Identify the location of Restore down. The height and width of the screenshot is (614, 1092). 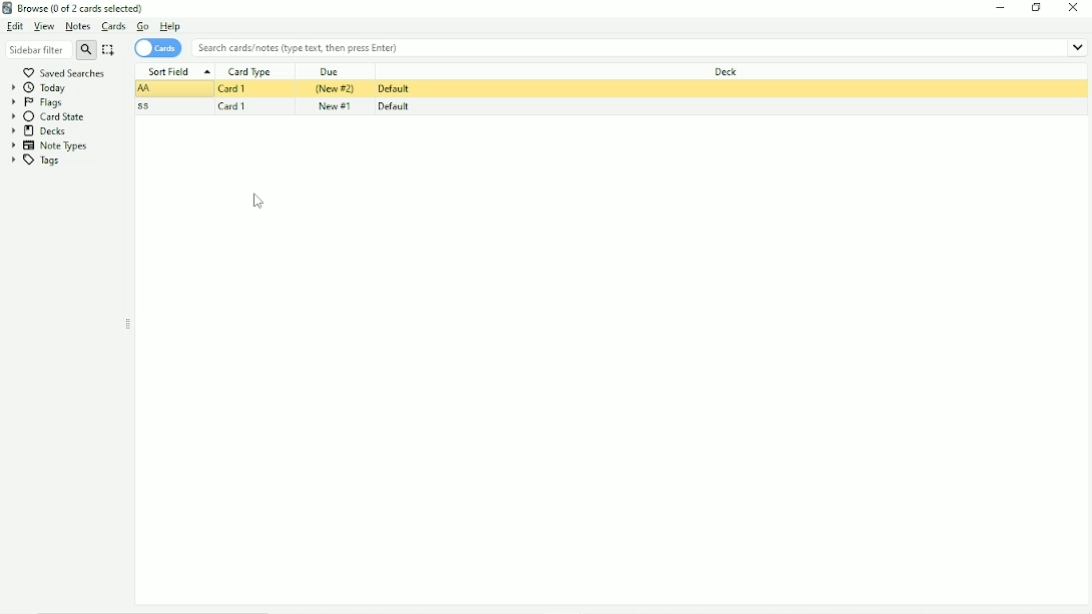
(1037, 8).